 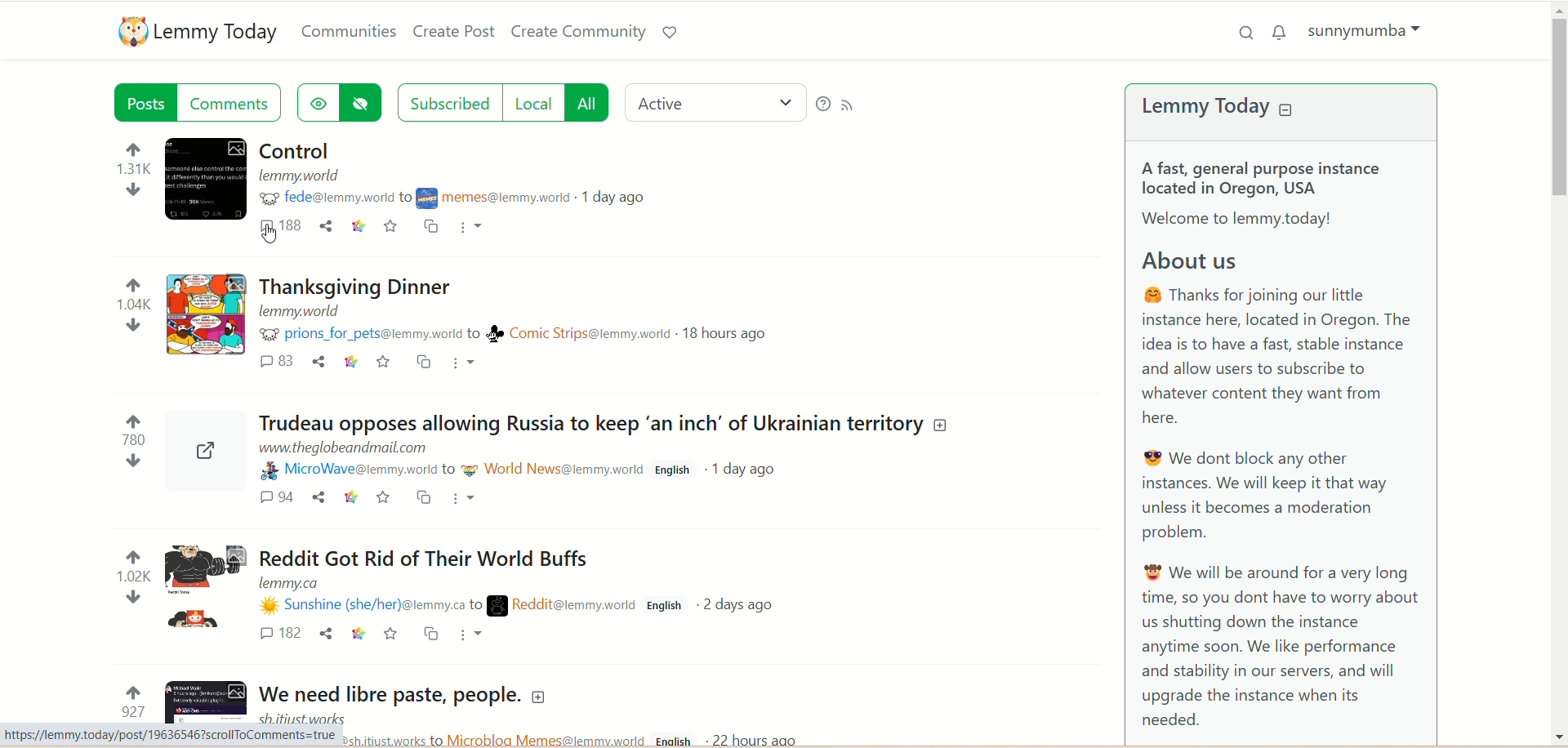 I want to click on cross post, so click(x=434, y=226).